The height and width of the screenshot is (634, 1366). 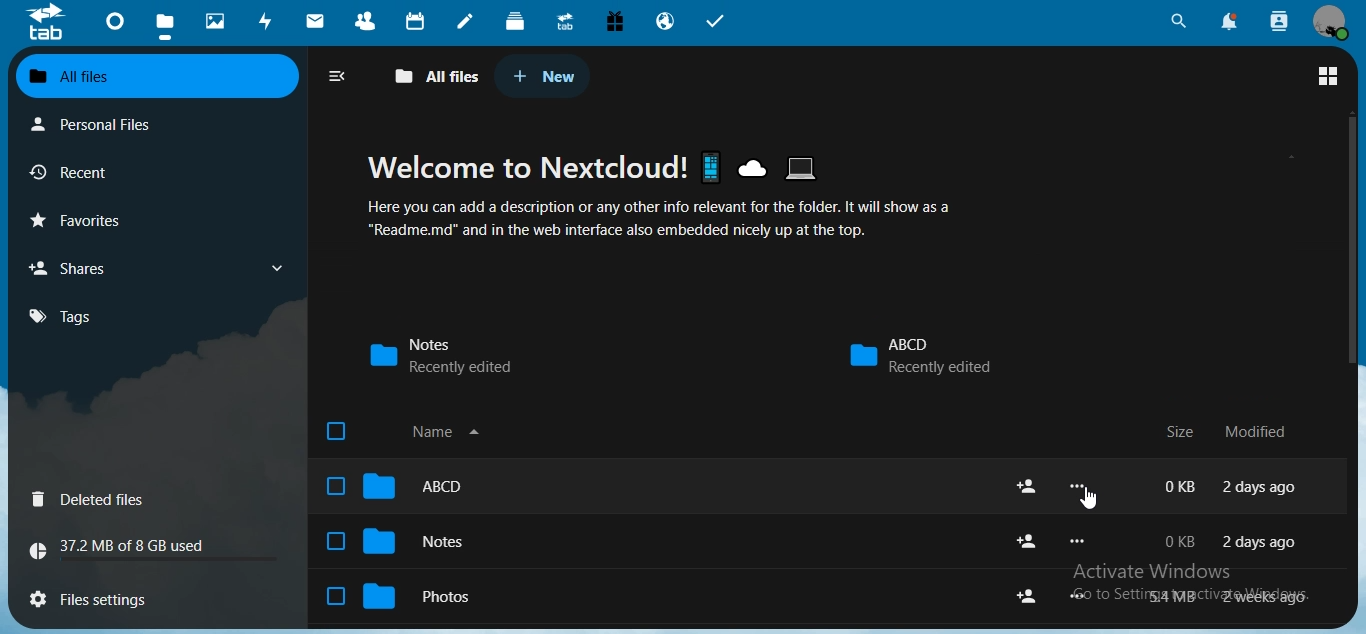 I want to click on text, so click(x=1235, y=489).